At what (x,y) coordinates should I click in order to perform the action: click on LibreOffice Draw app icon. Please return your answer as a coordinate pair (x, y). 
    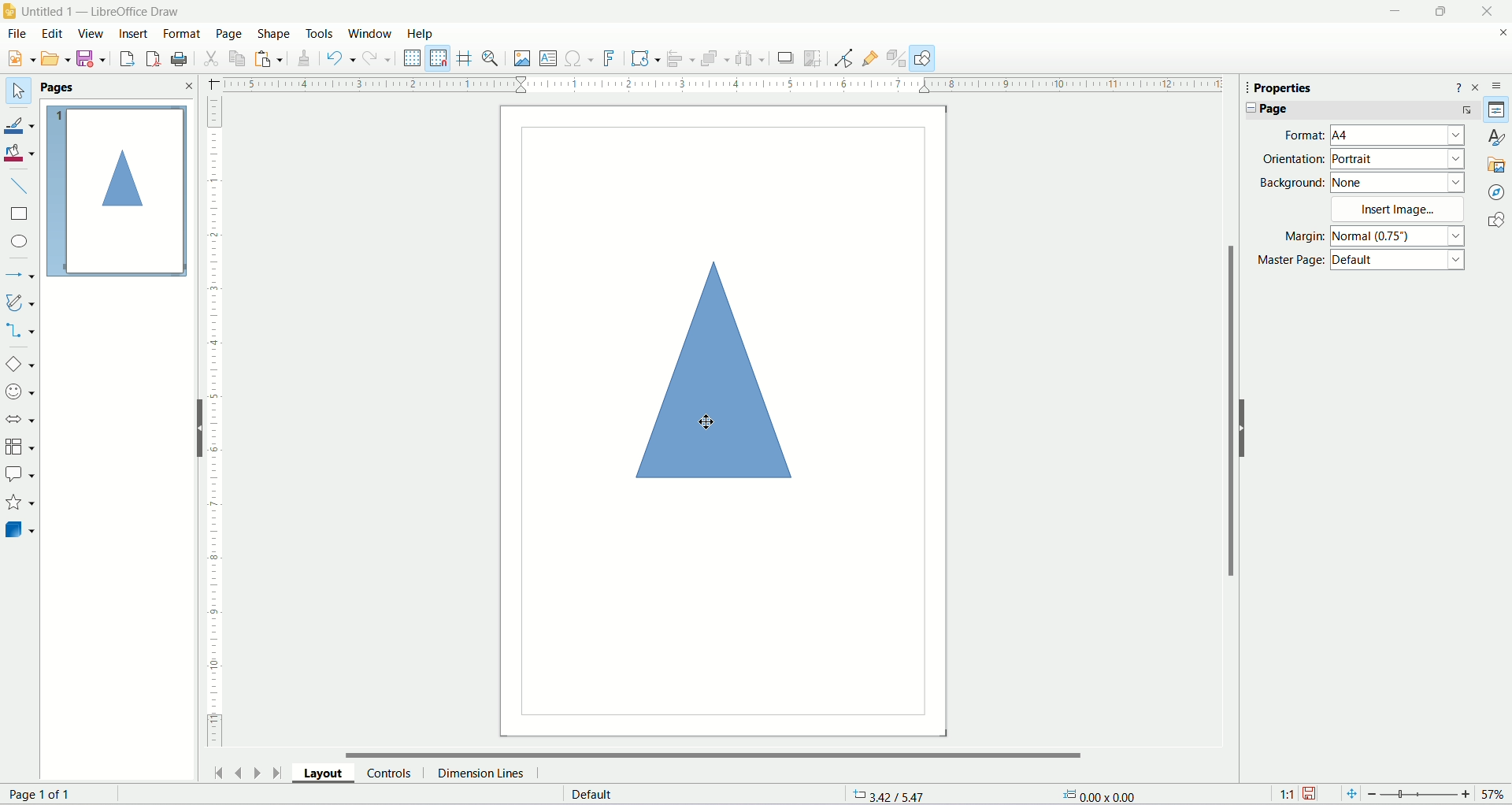
    Looking at the image, I should click on (9, 9).